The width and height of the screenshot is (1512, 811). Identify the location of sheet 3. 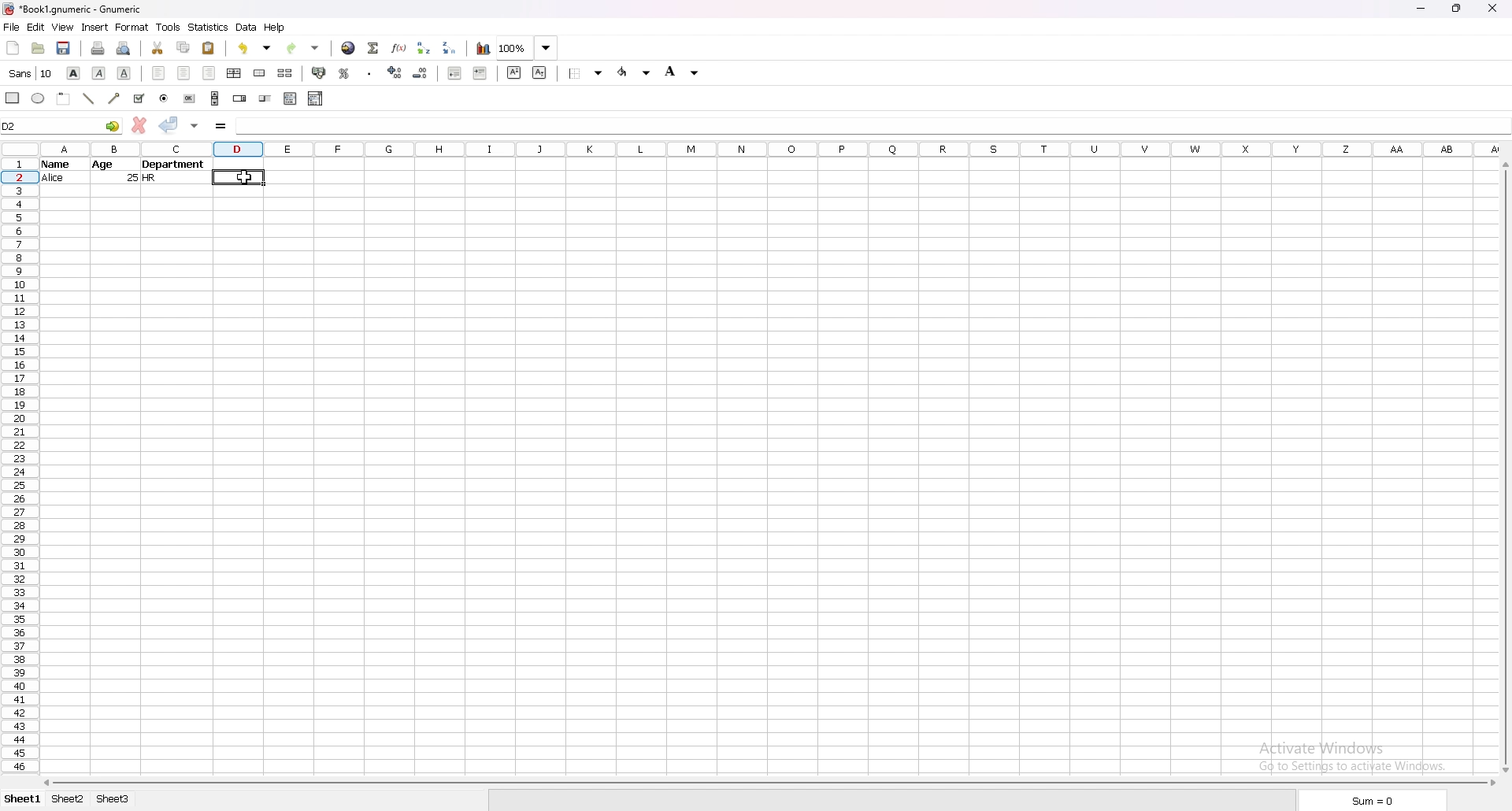
(113, 799).